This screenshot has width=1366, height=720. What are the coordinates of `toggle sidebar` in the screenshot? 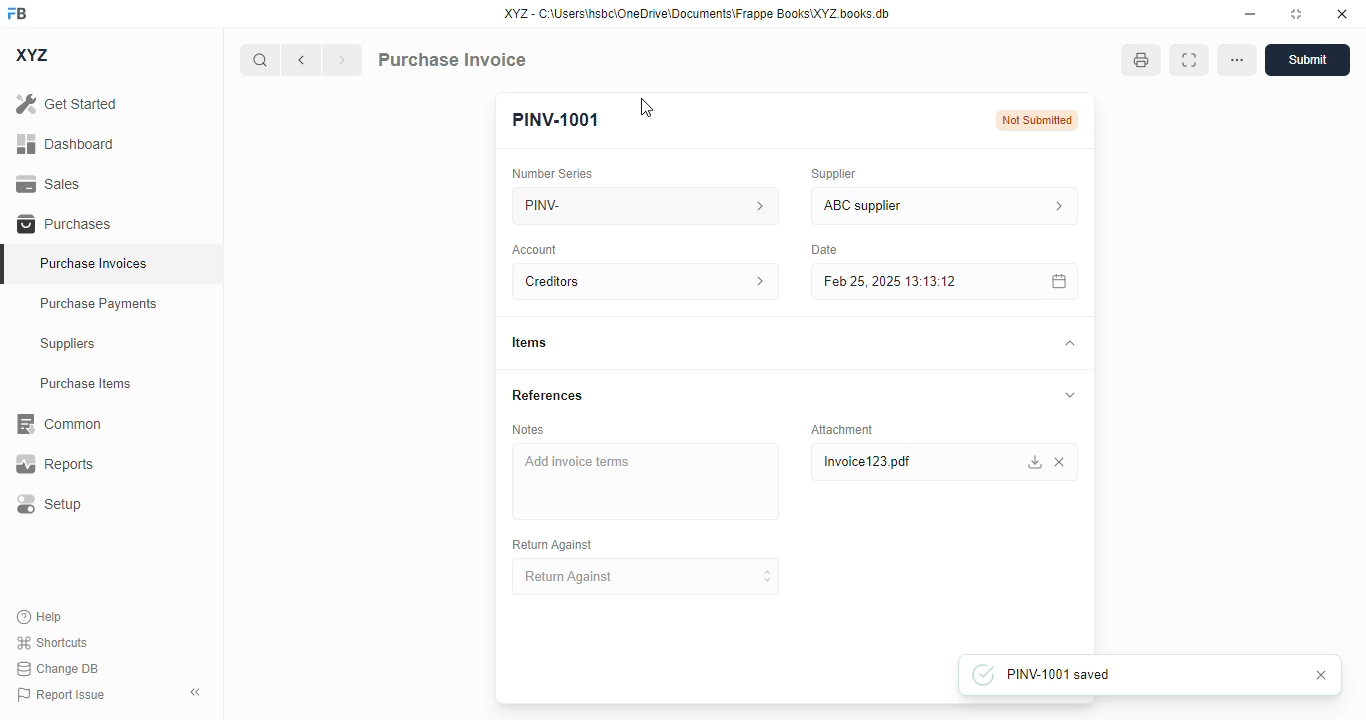 It's located at (198, 692).